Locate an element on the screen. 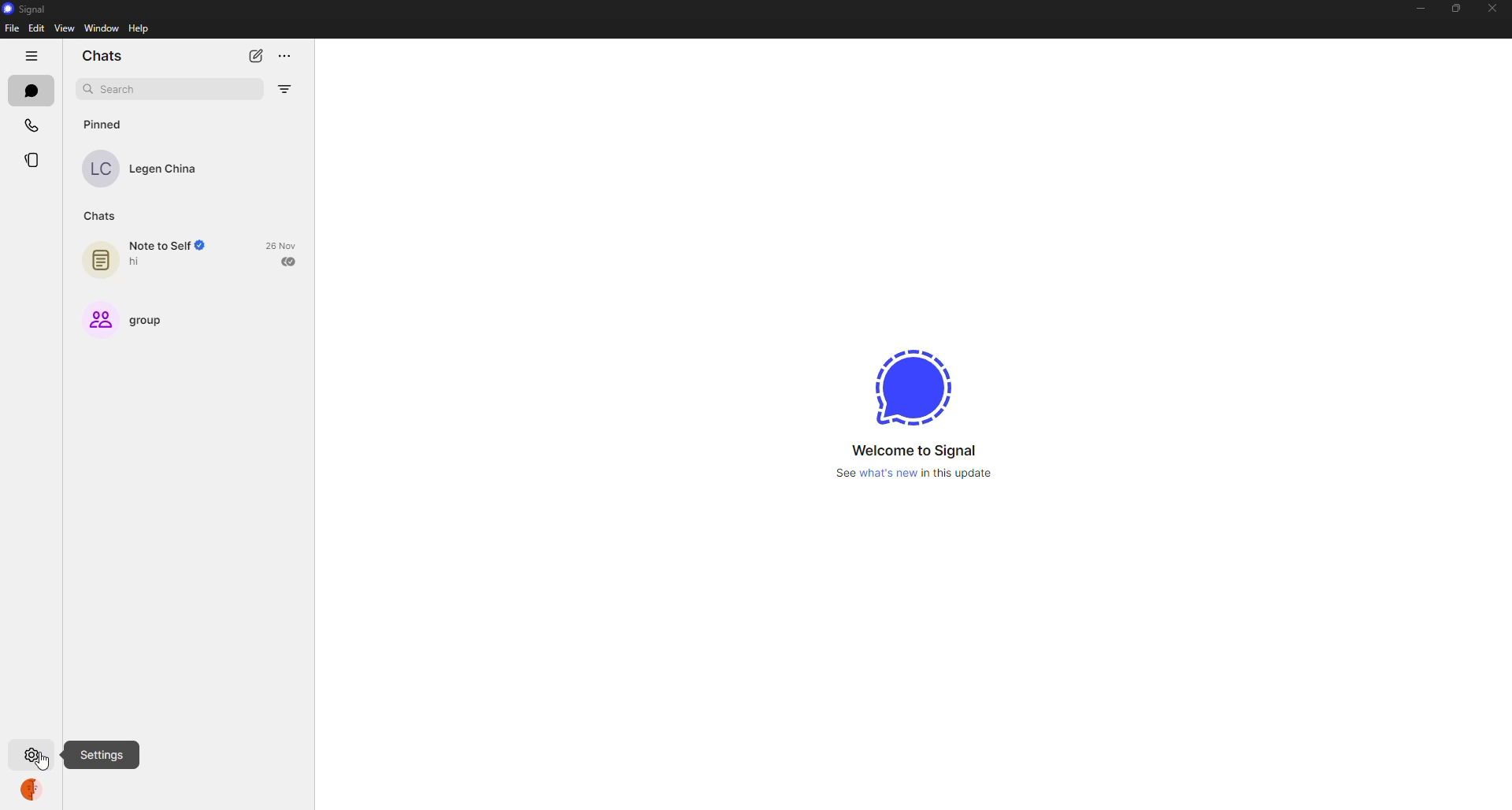  note to self is located at coordinates (143, 258).